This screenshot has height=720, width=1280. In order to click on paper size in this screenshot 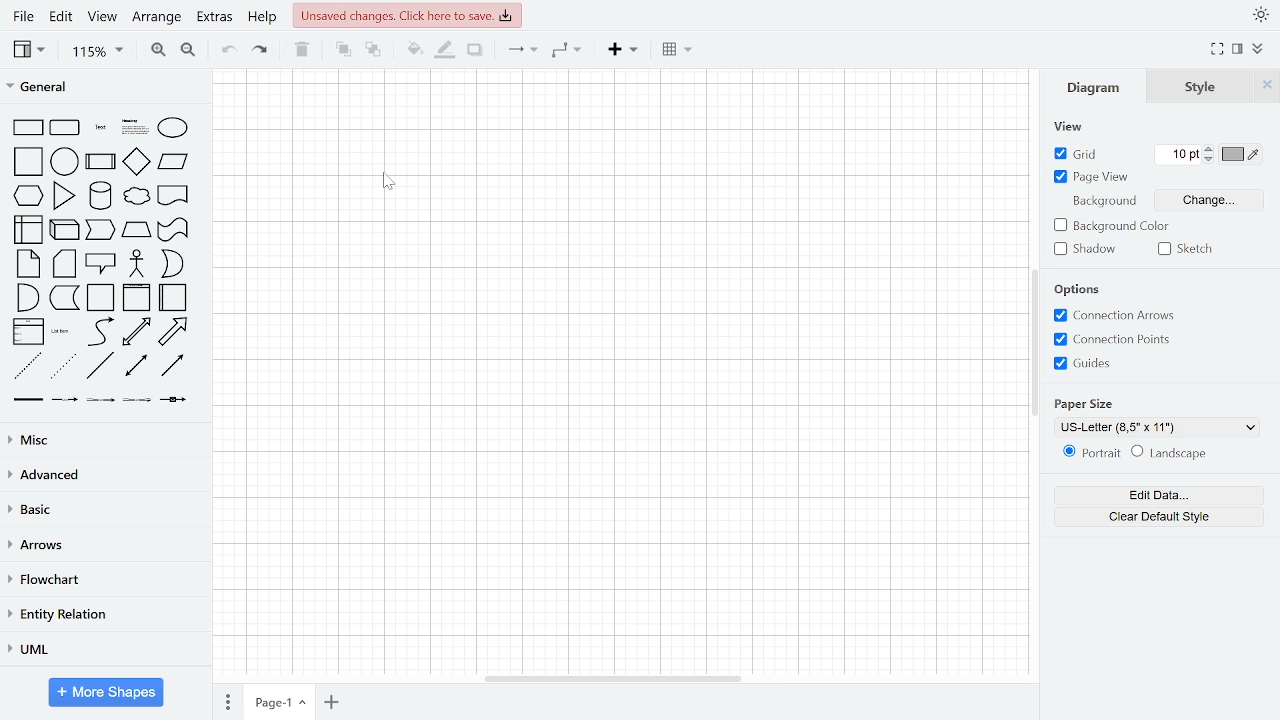, I will do `click(1087, 401)`.